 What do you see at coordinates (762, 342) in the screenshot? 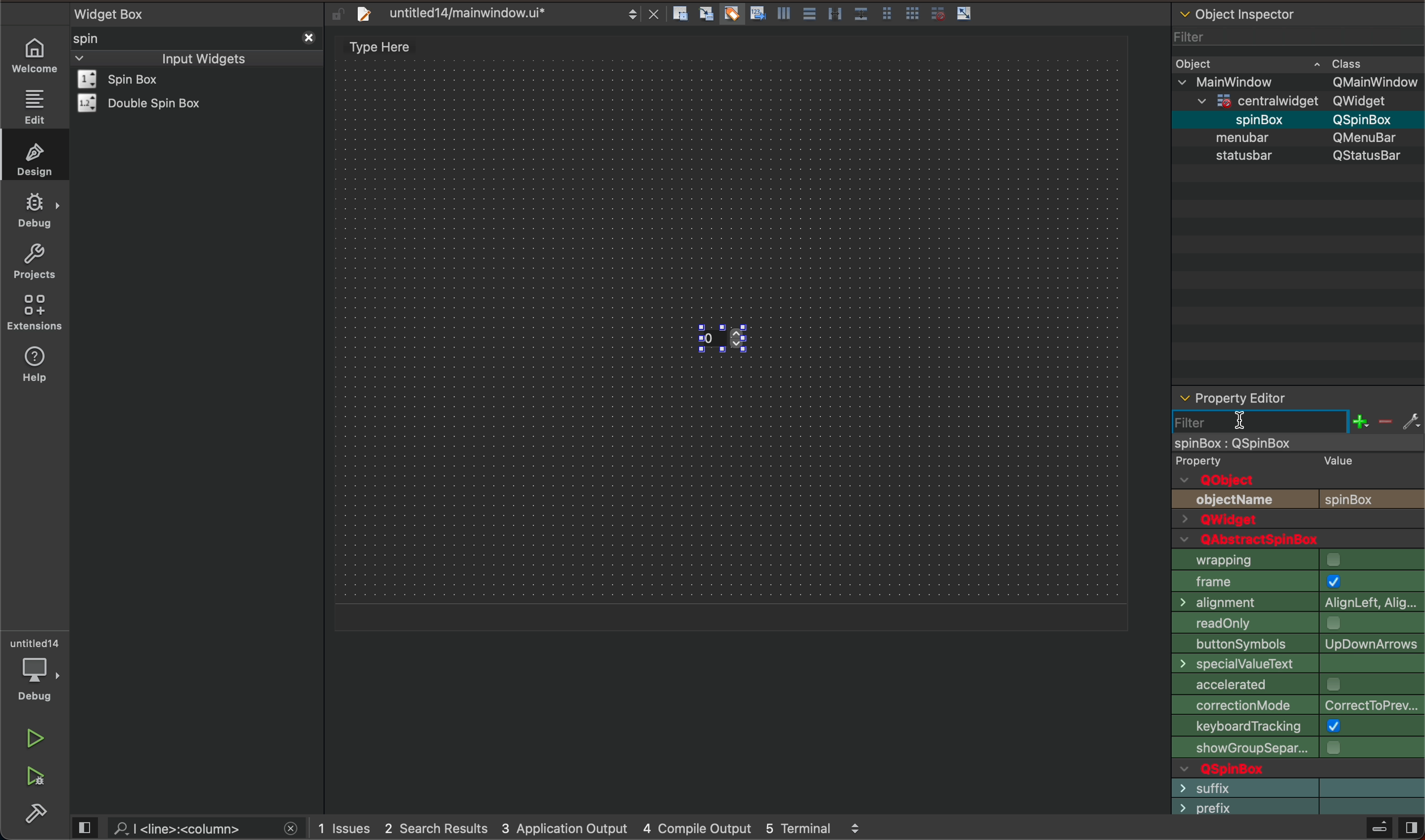
I see `spin box` at bounding box center [762, 342].